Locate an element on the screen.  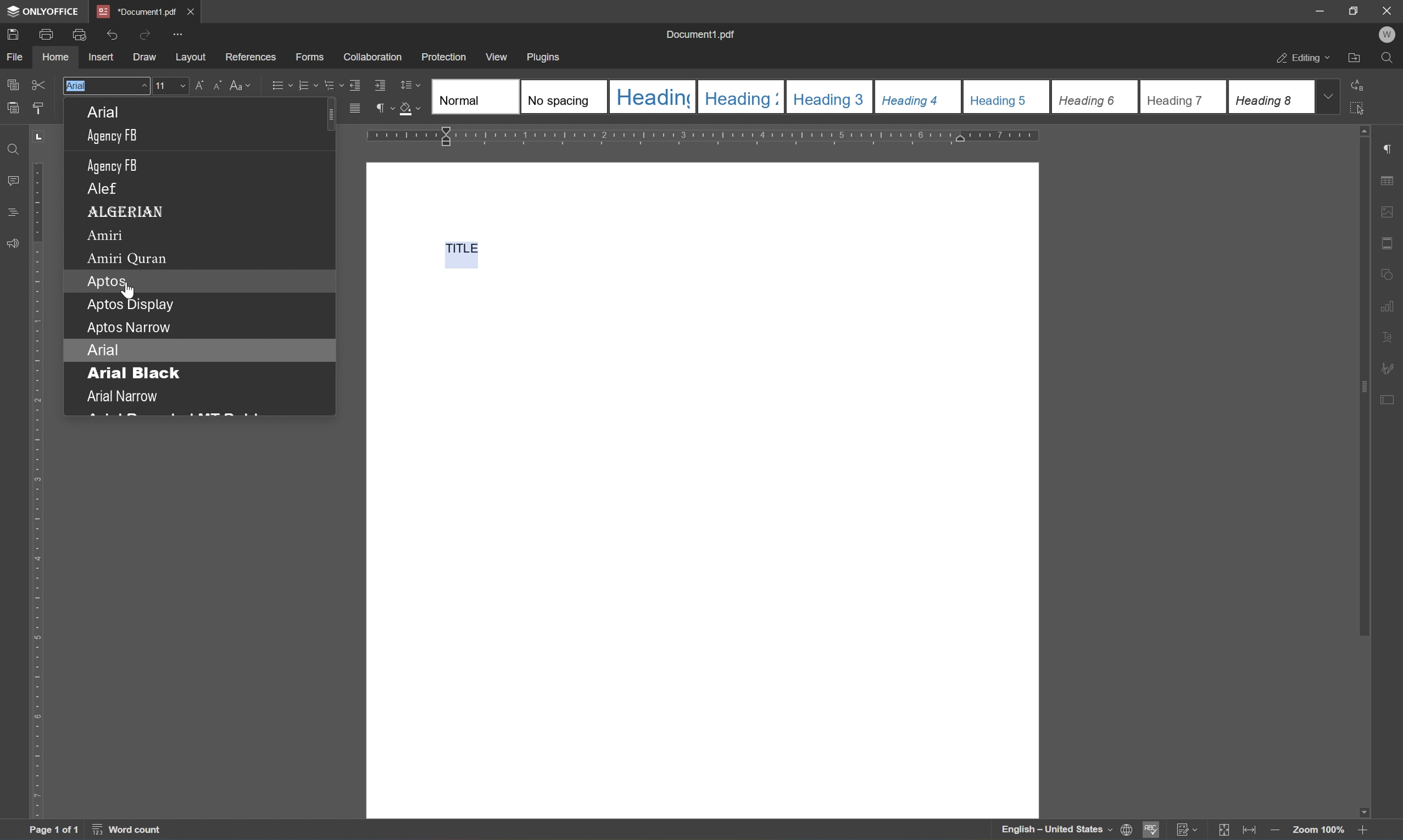
zoom out is located at coordinates (1274, 830).